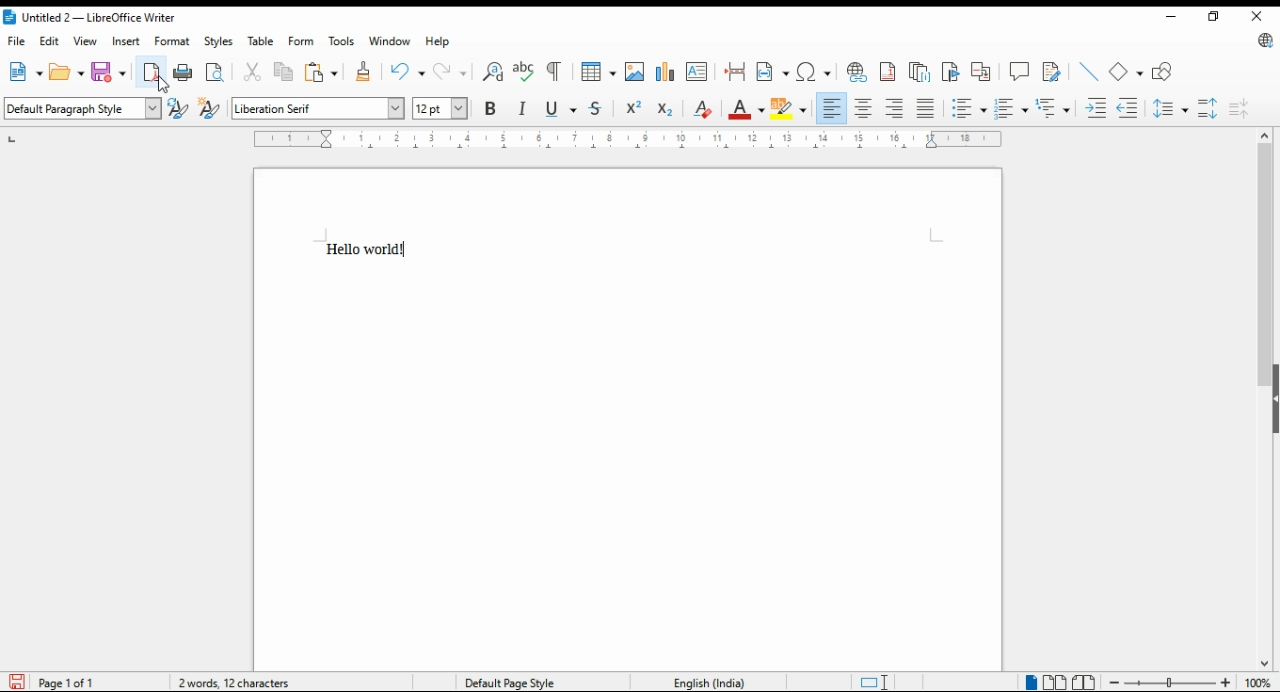 This screenshot has width=1280, height=692. Describe the element at coordinates (1126, 69) in the screenshot. I see `basic shapes` at that location.